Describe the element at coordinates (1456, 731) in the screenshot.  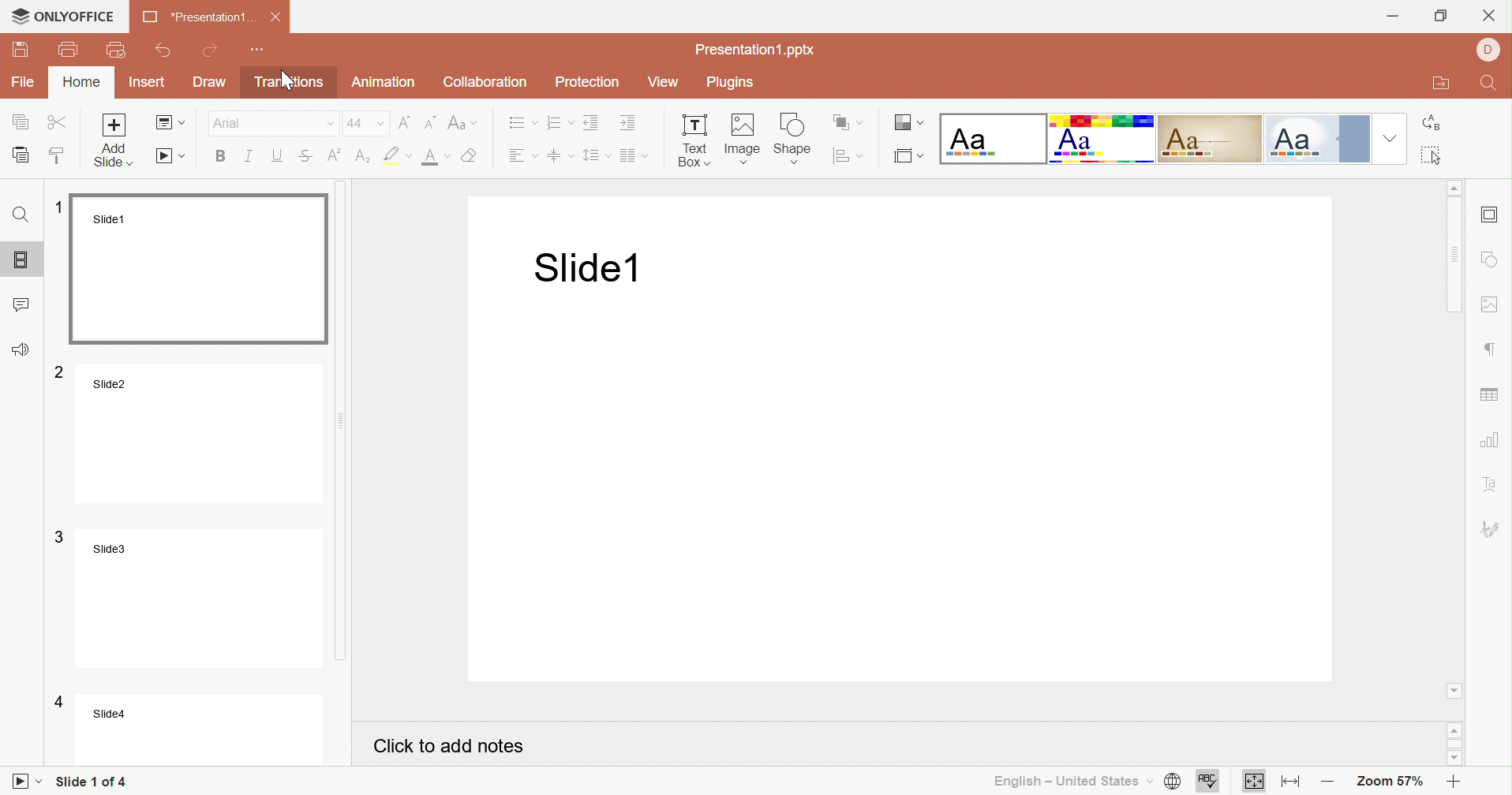
I see `Scroll up` at that location.